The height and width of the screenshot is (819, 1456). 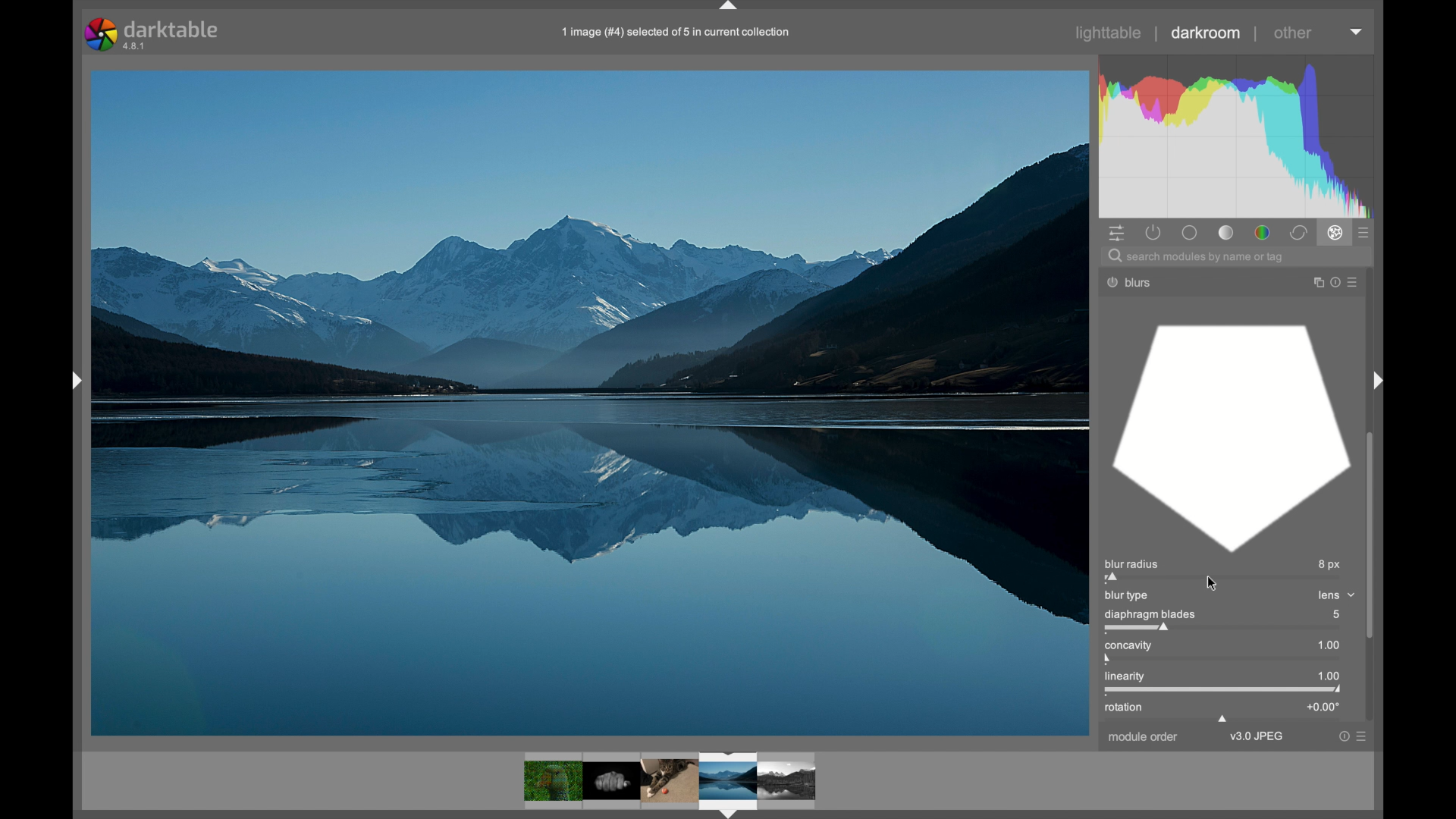 What do you see at coordinates (1373, 536) in the screenshot?
I see `scroll box` at bounding box center [1373, 536].